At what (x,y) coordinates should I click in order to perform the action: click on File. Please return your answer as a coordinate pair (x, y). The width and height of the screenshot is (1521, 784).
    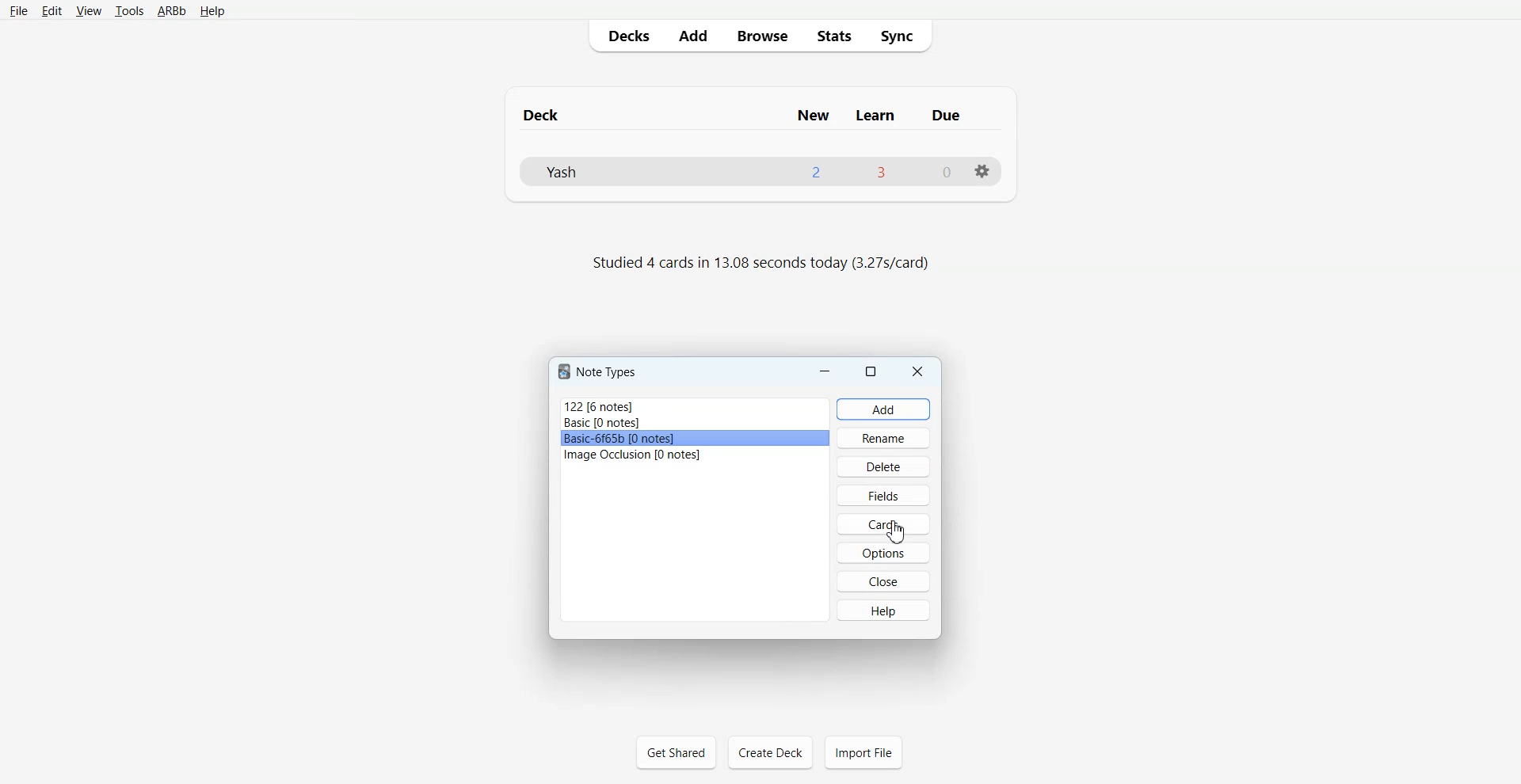
    Looking at the image, I should click on (19, 11).